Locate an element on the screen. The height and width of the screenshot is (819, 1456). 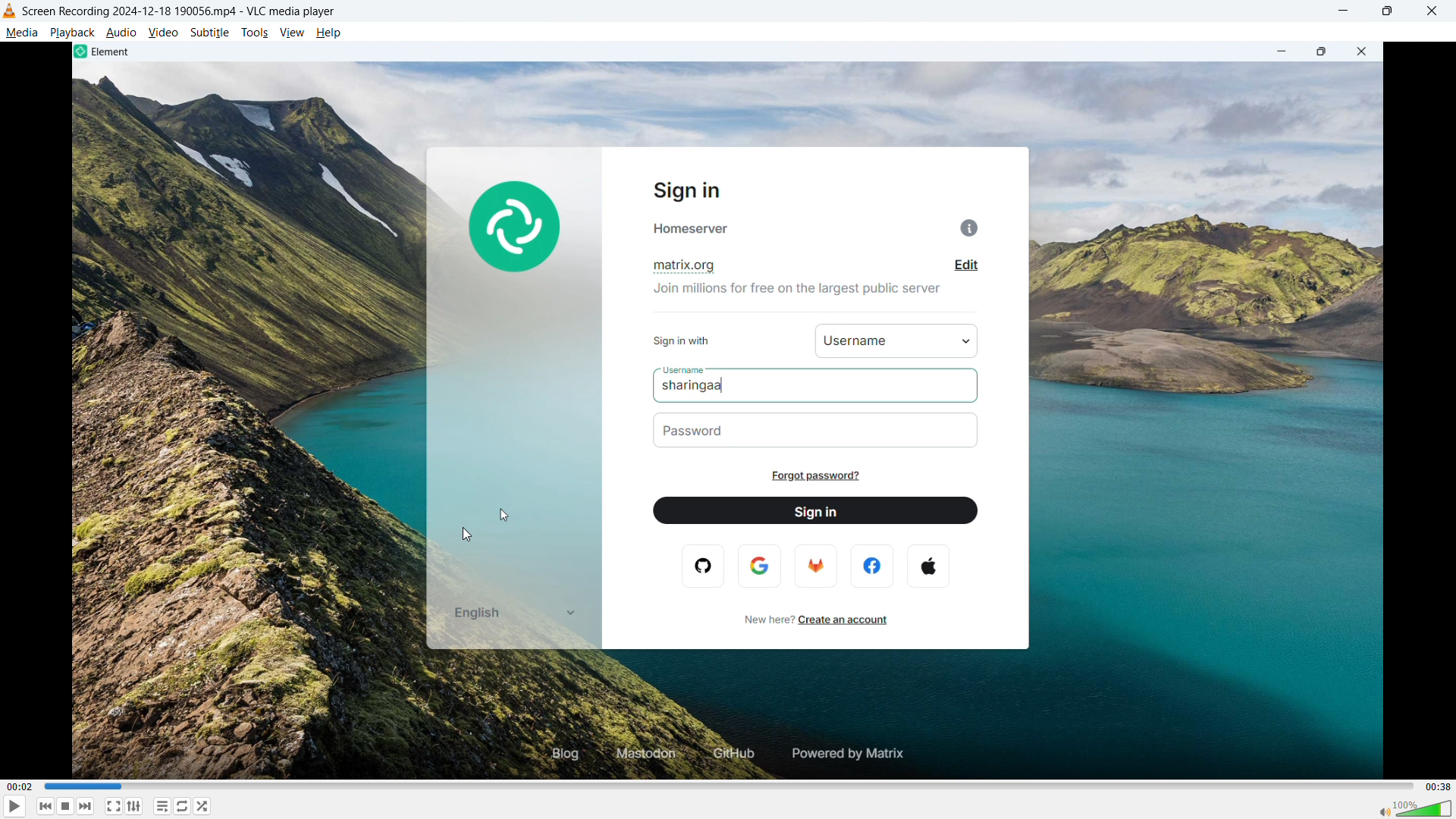
Full screen  is located at coordinates (113, 805).